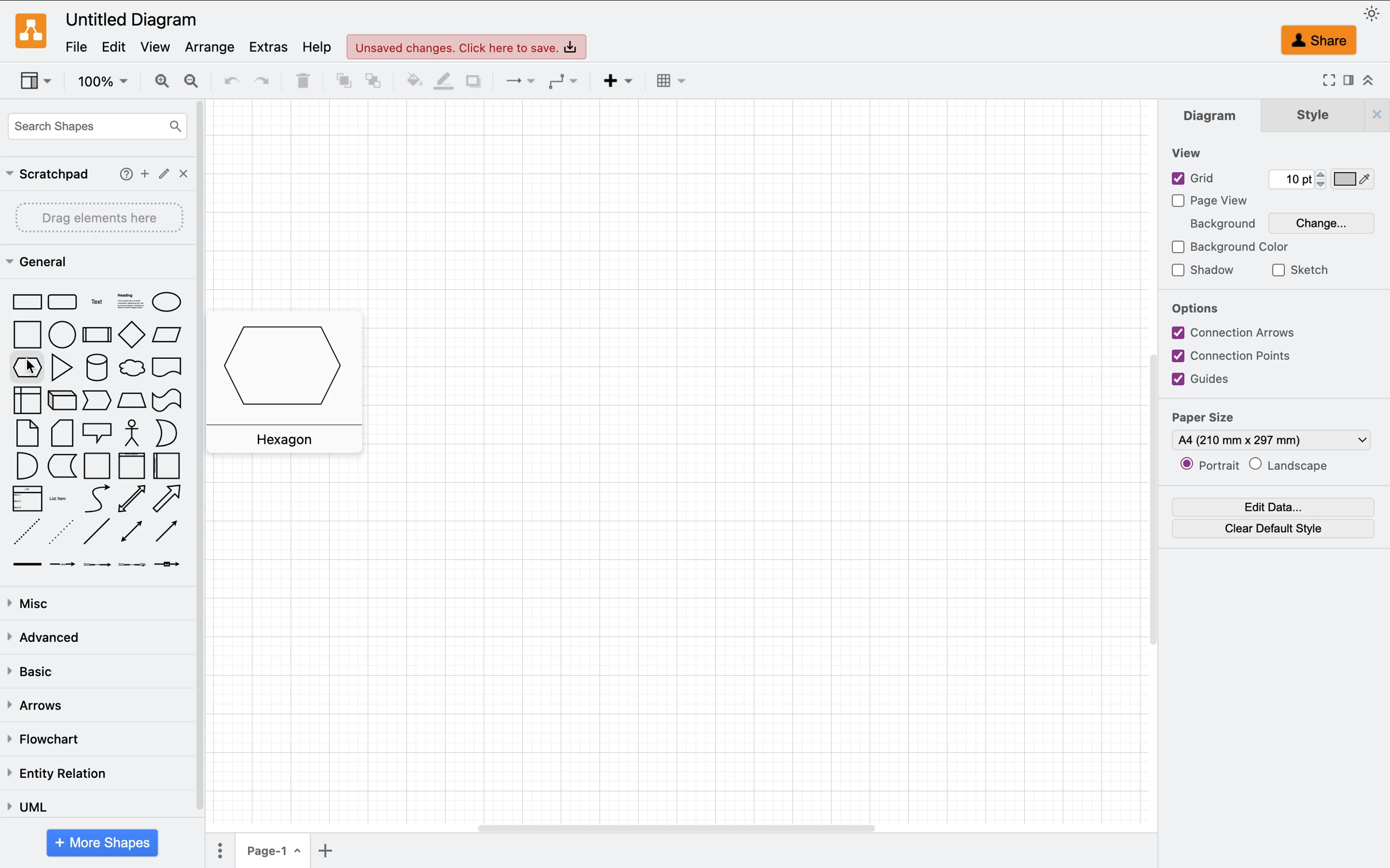 This screenshot has height=868, width=1390. Describe the element at coordinates (1236, 331) in the screenshot. I see `connection arrows` at that location.